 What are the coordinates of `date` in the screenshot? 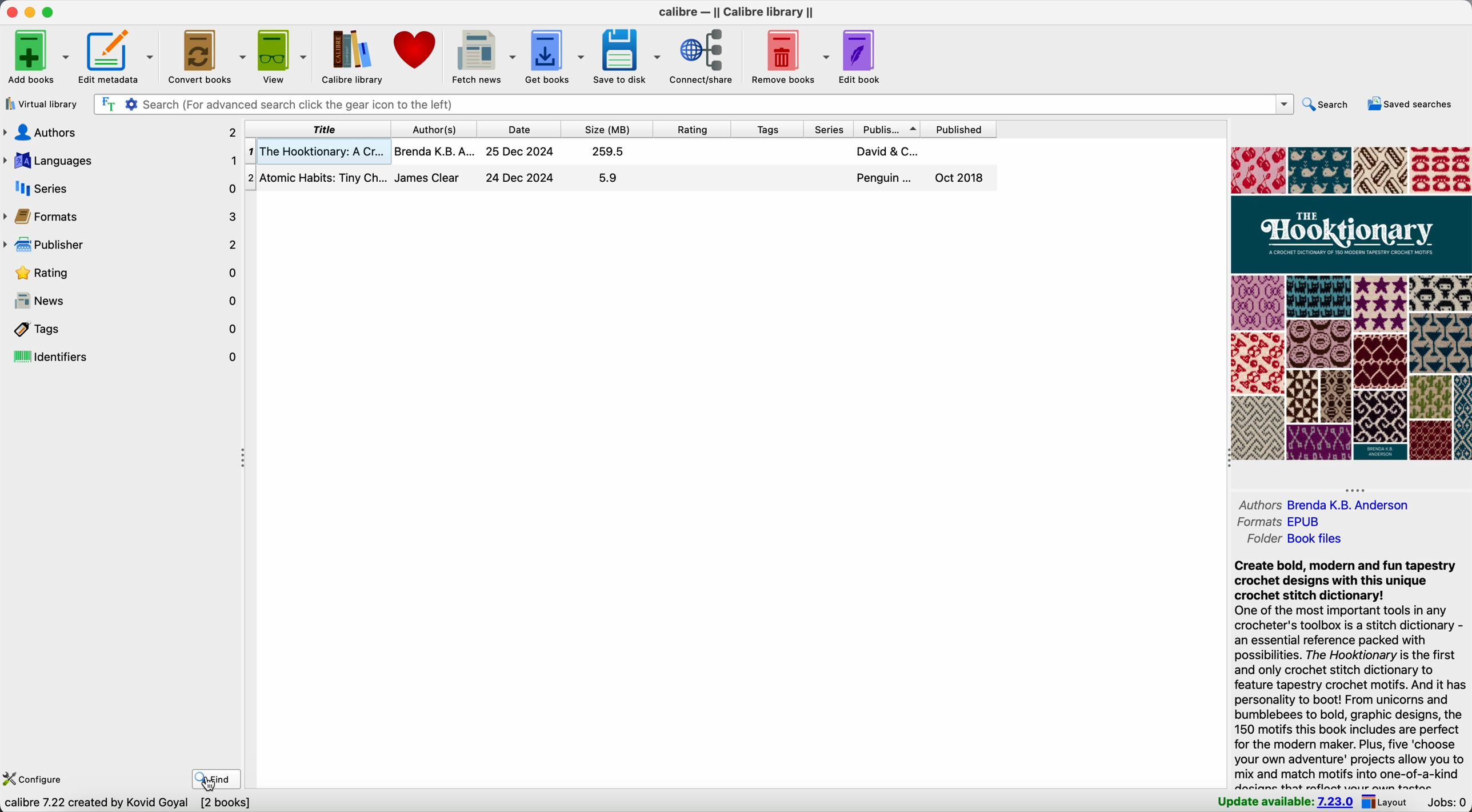 It's located at (516, 129).